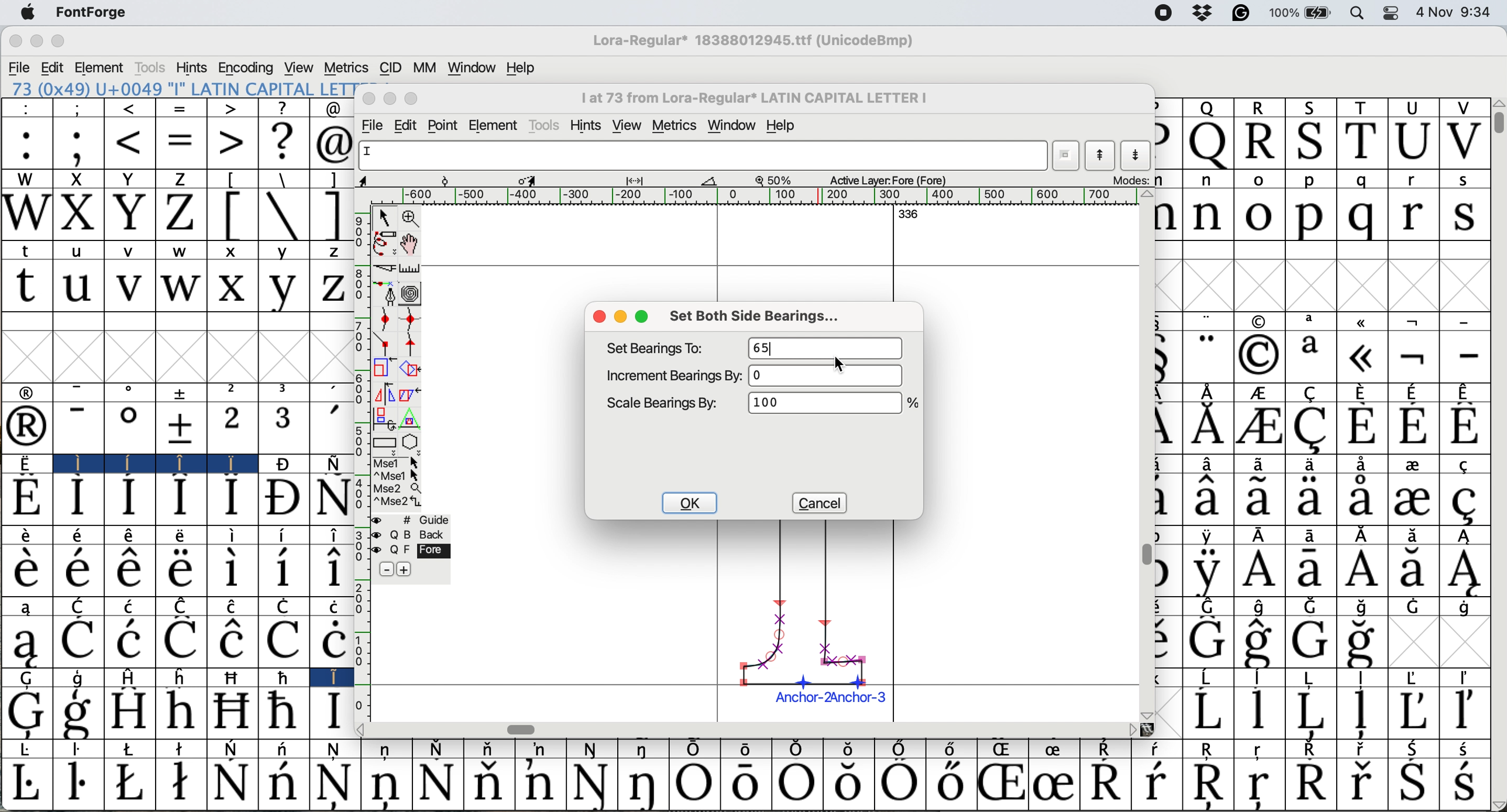 Image resolution: width=1507 pixels, height=812 pixels. Describe the element at coordinates (78, 286) in the screenshot. I see `u` at that location.